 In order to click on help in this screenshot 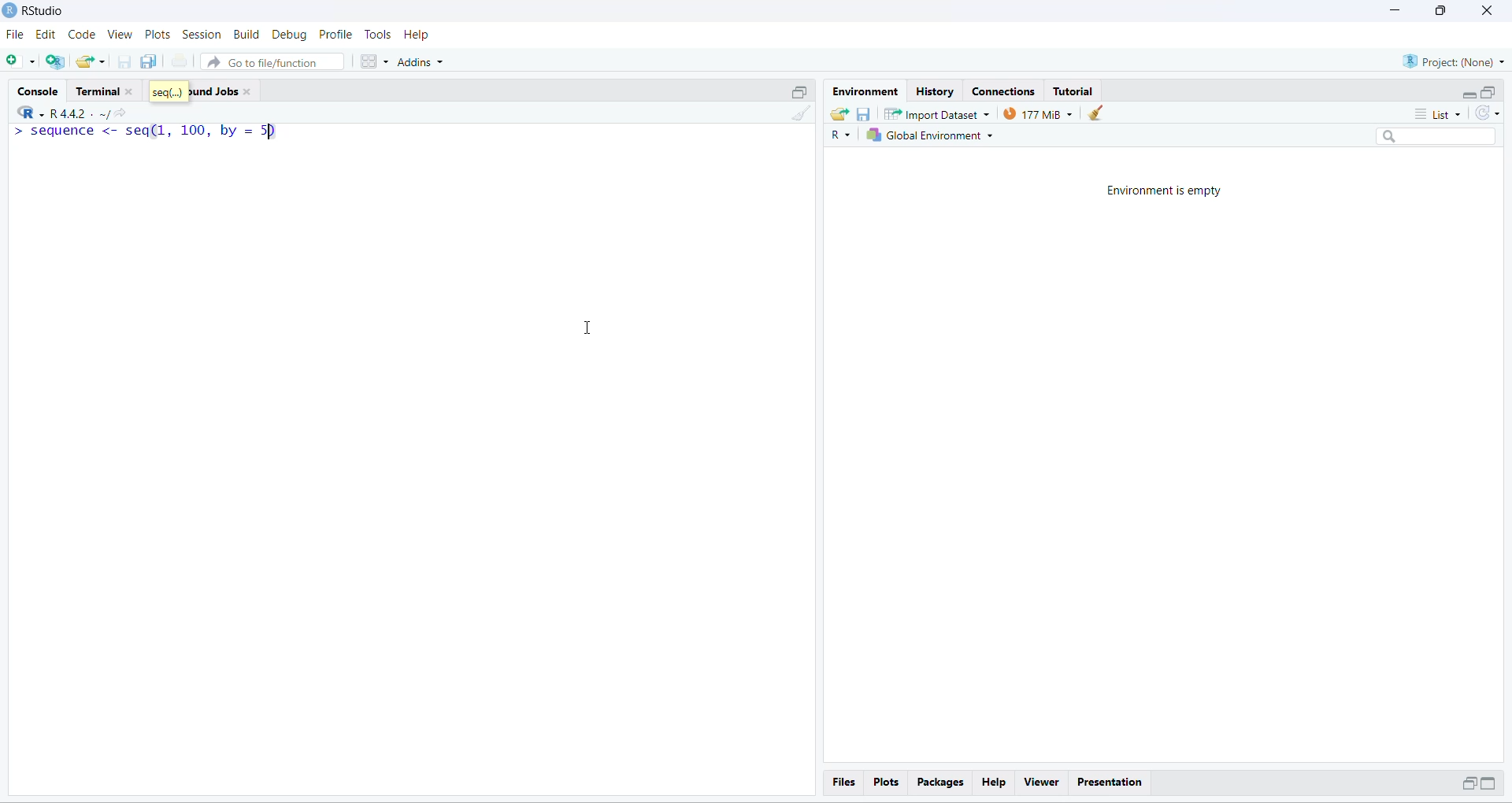, I will do `click(416, 35)`.